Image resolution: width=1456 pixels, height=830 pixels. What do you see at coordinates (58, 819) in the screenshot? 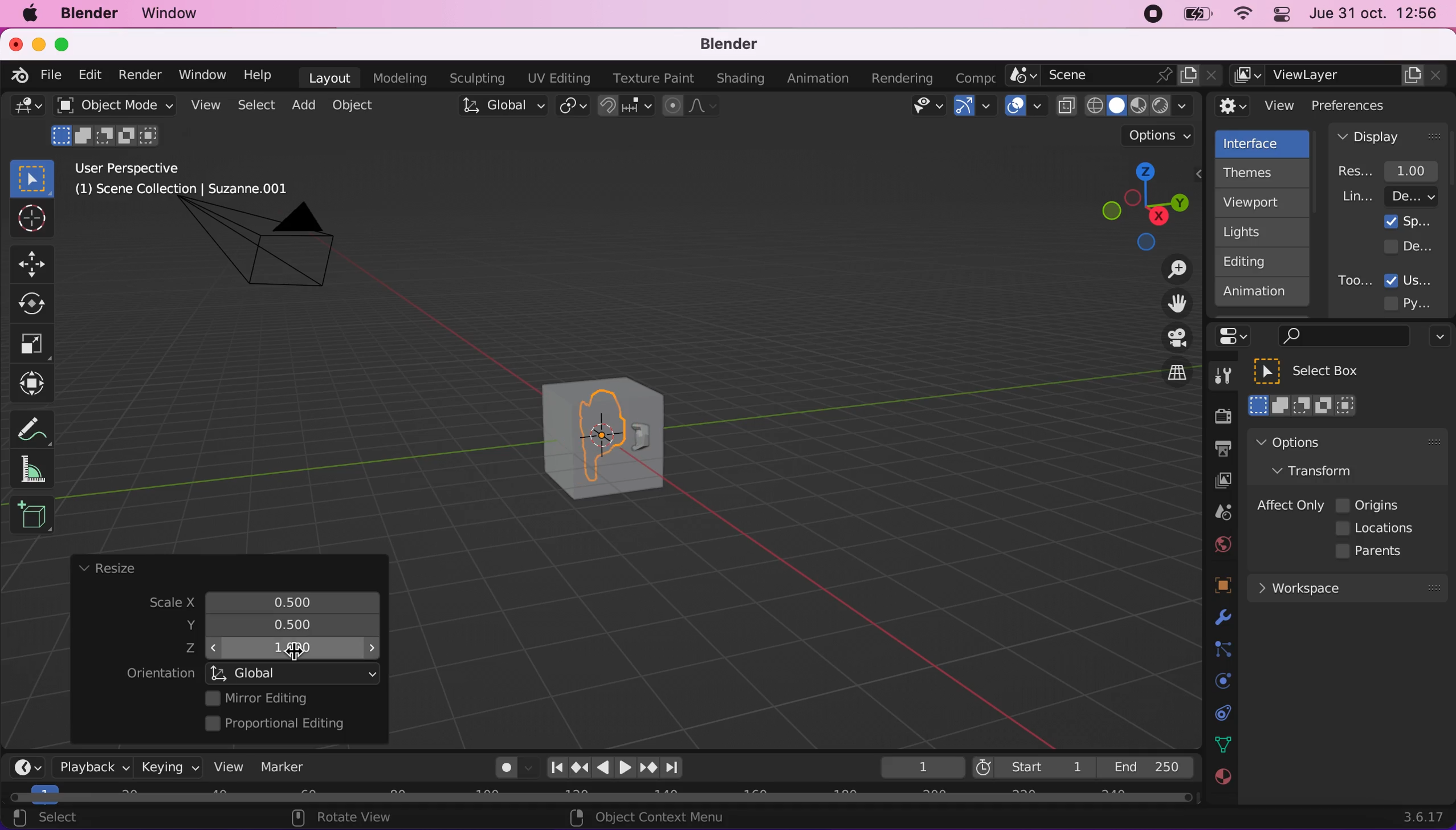
I see `select` at bounding box center [58, 819].